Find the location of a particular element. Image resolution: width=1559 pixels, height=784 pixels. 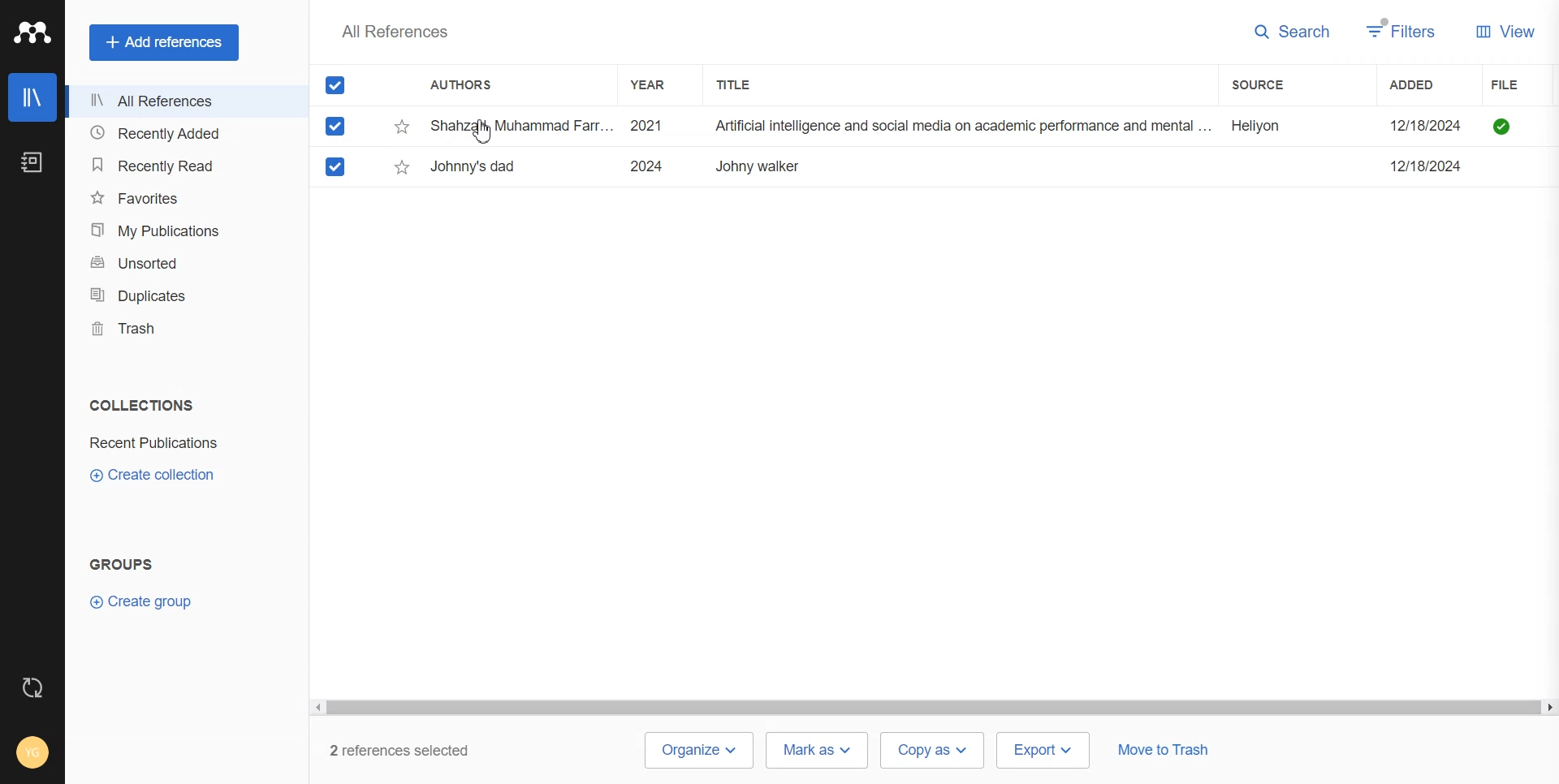

All Marks is located at coordinates (335, 84).